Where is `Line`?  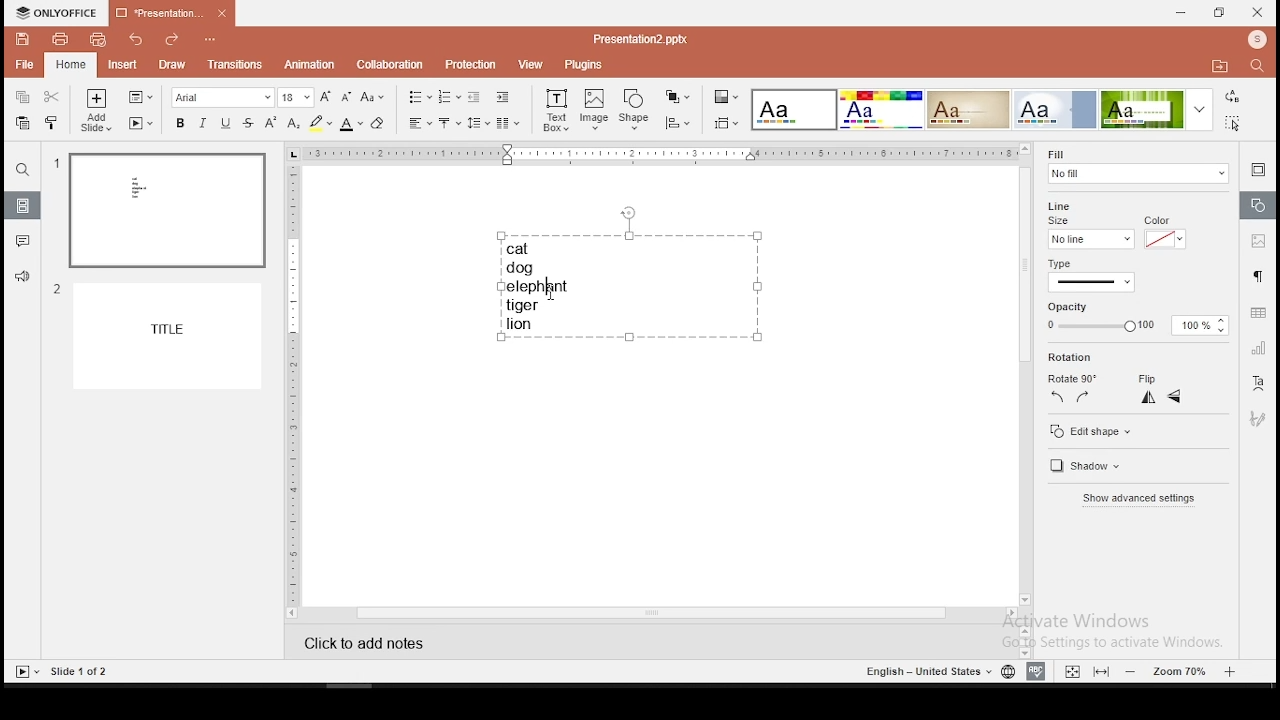
Line is located at coordinates (1066, 204).